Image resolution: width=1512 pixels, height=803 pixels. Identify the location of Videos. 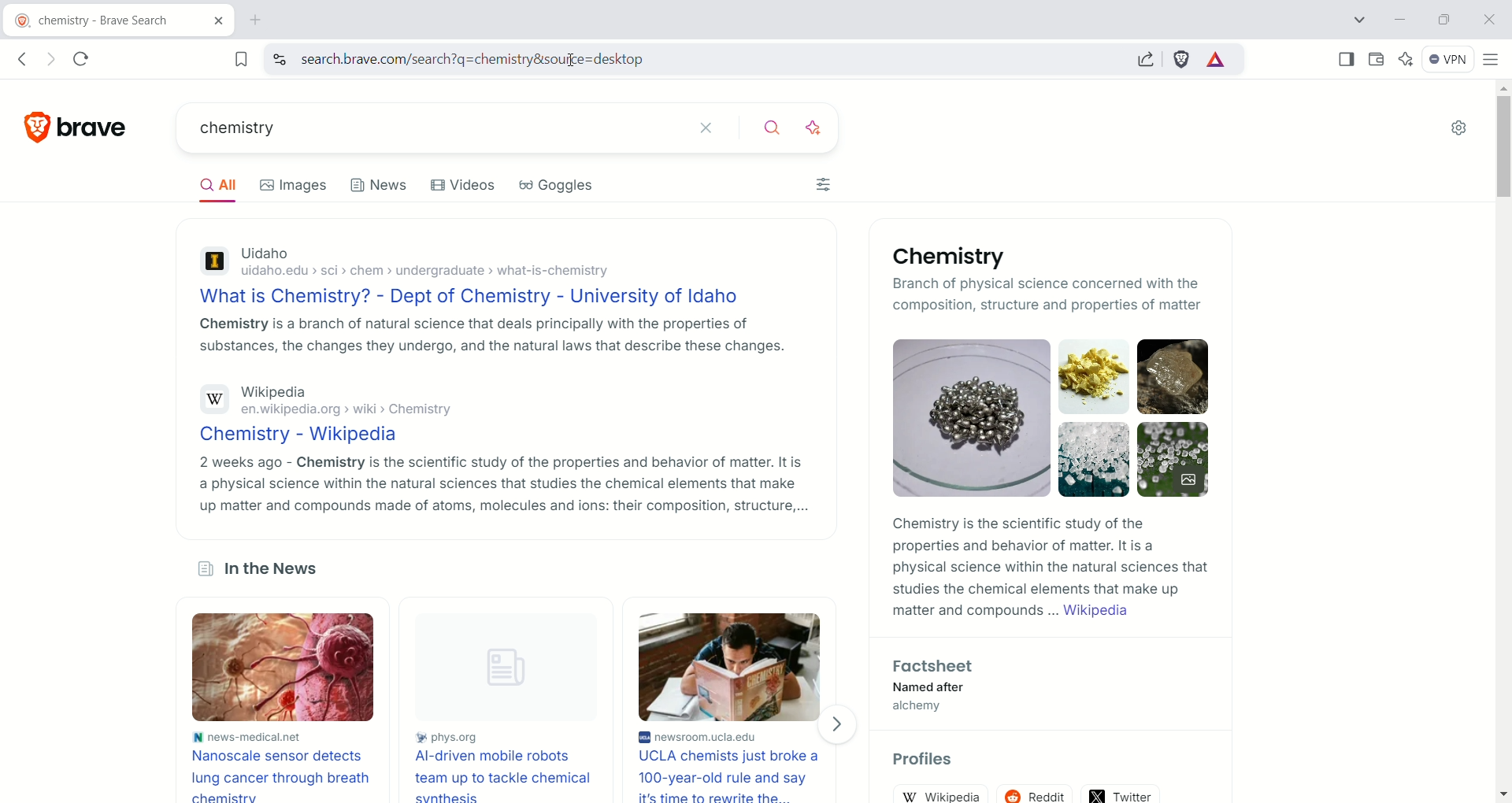
(463, 185).